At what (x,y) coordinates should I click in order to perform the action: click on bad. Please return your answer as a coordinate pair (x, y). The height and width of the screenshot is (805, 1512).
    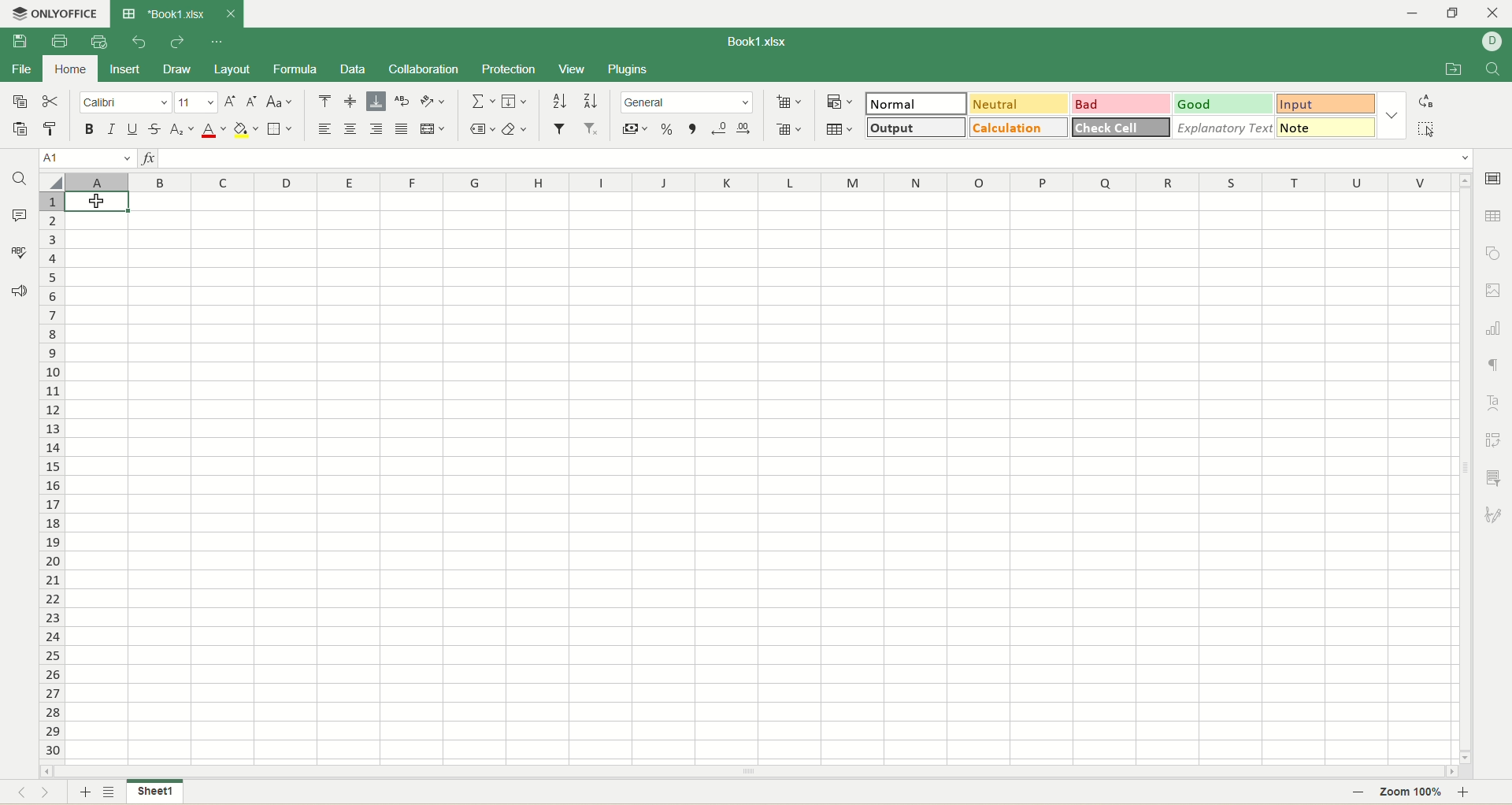
    Looking at the image, I should click on (1123, 104).